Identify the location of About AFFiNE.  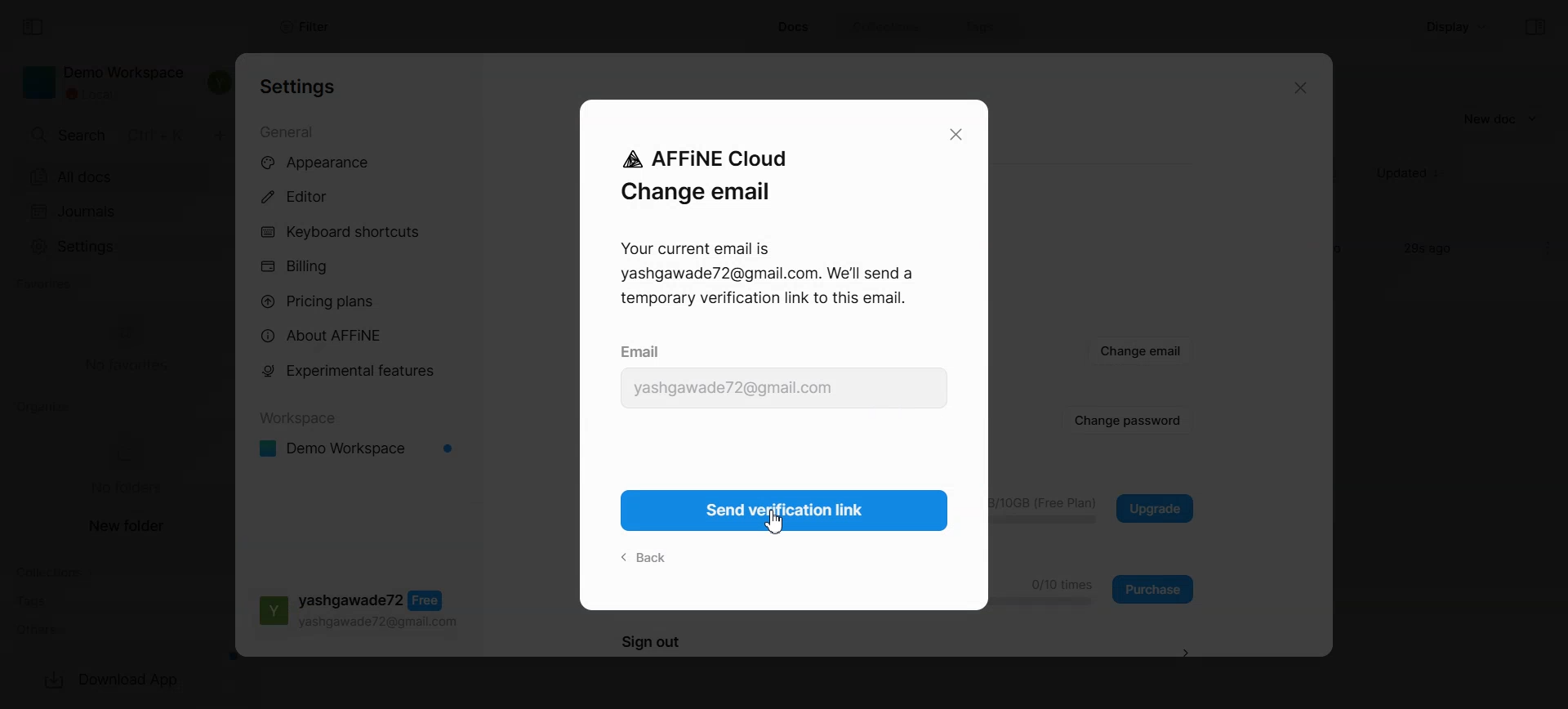
(359, 336).